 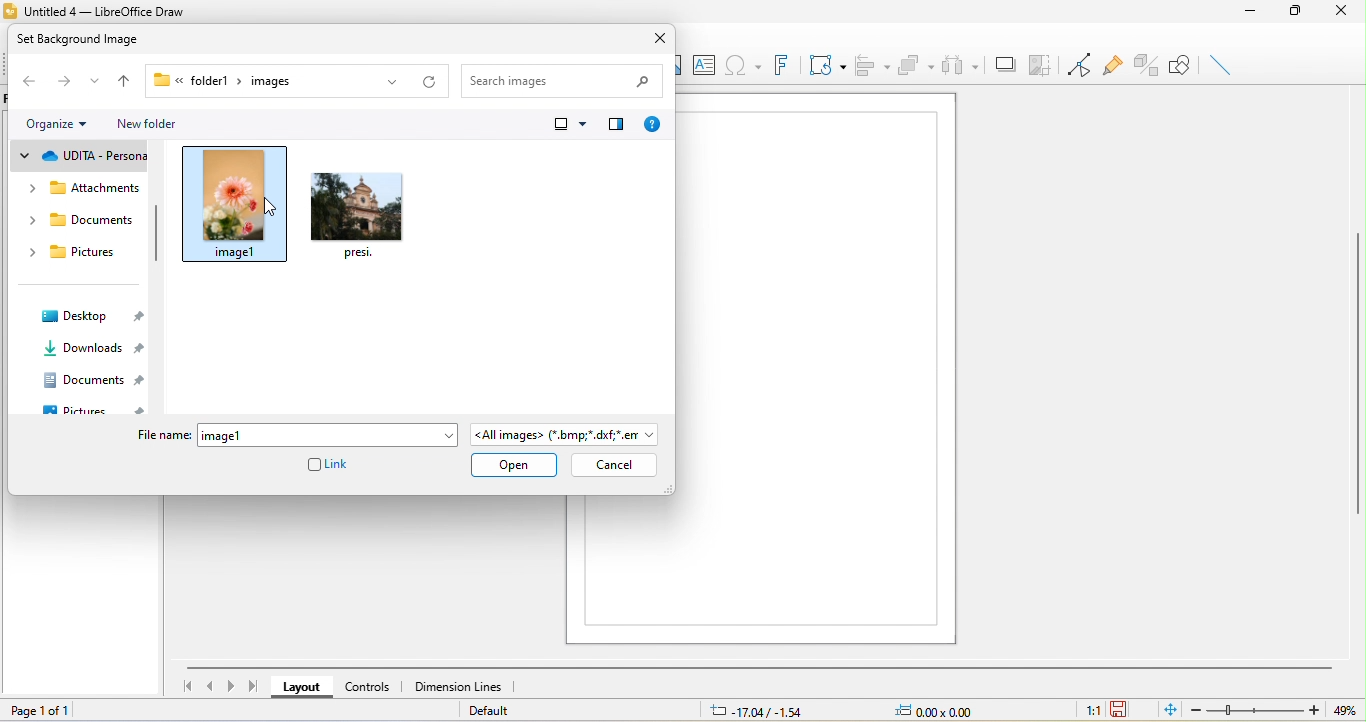 What do you see at coordinates (1113, 62) in the screenshot?
I see `glue point function` at bounding box center [1113, 62].